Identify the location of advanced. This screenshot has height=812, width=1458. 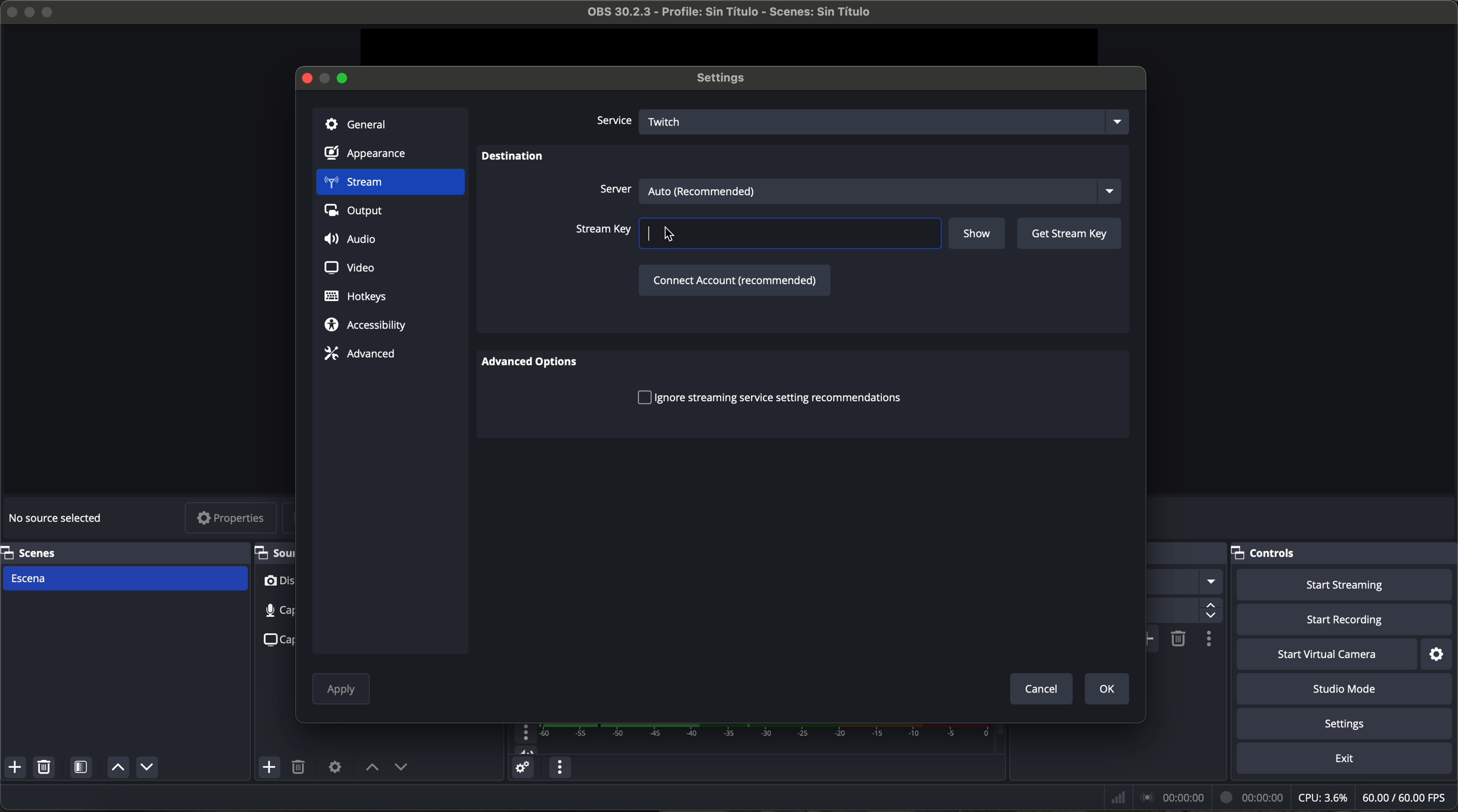
(359, 353).